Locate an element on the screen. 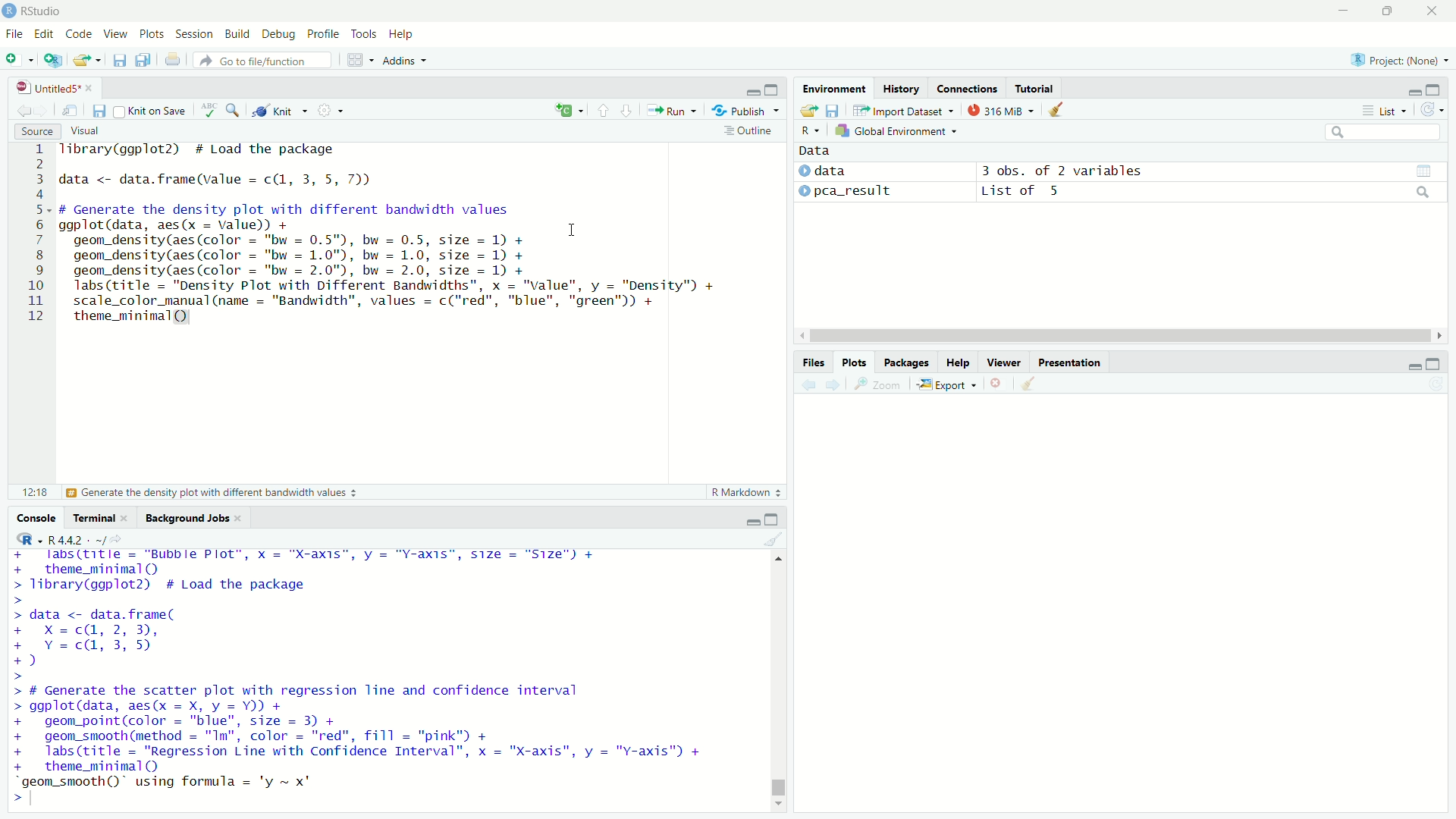  minimize is located at coordinates (1414, 366).